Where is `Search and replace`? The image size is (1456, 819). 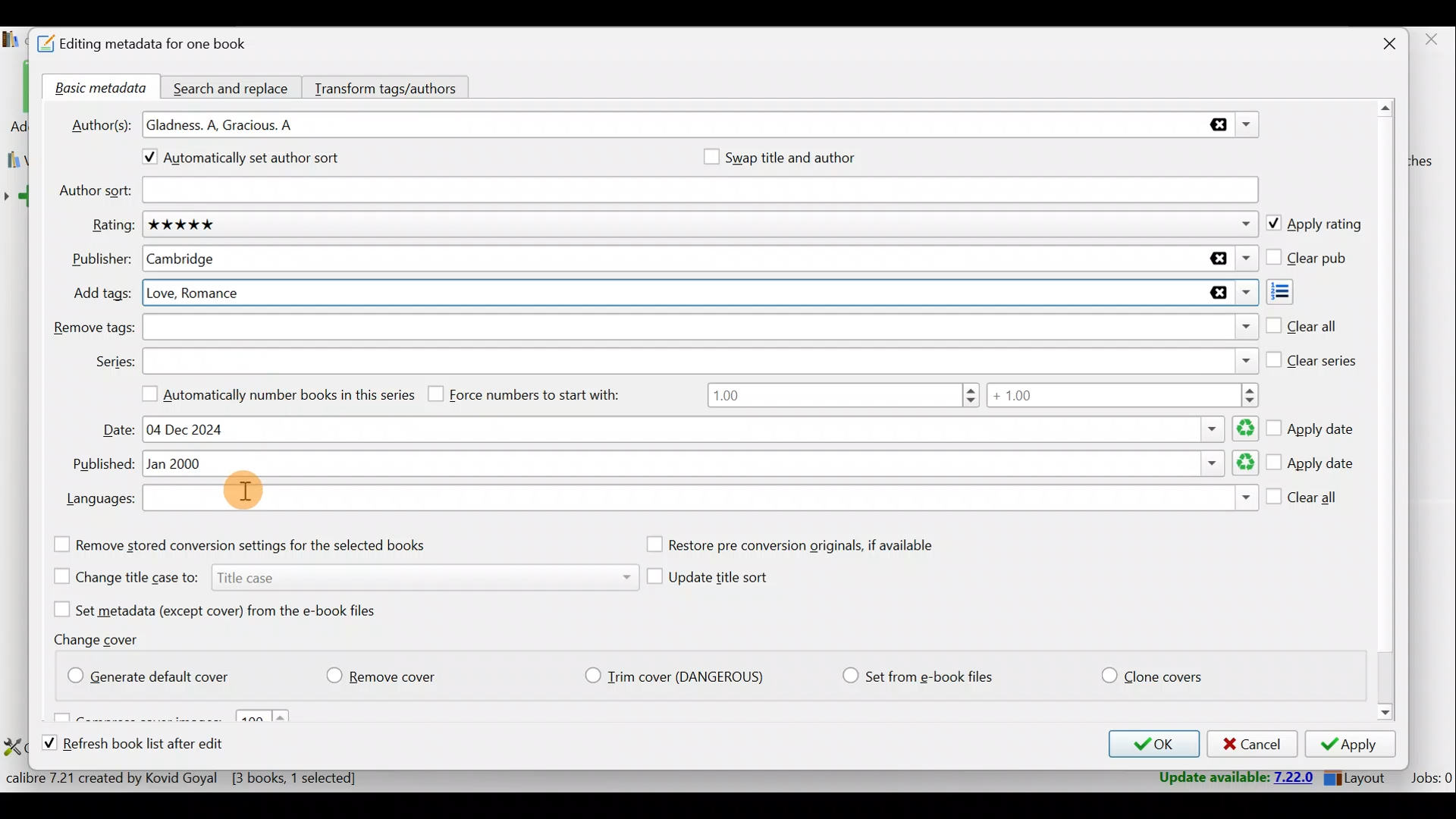
Search and replace is located at coordinates (233, 86).